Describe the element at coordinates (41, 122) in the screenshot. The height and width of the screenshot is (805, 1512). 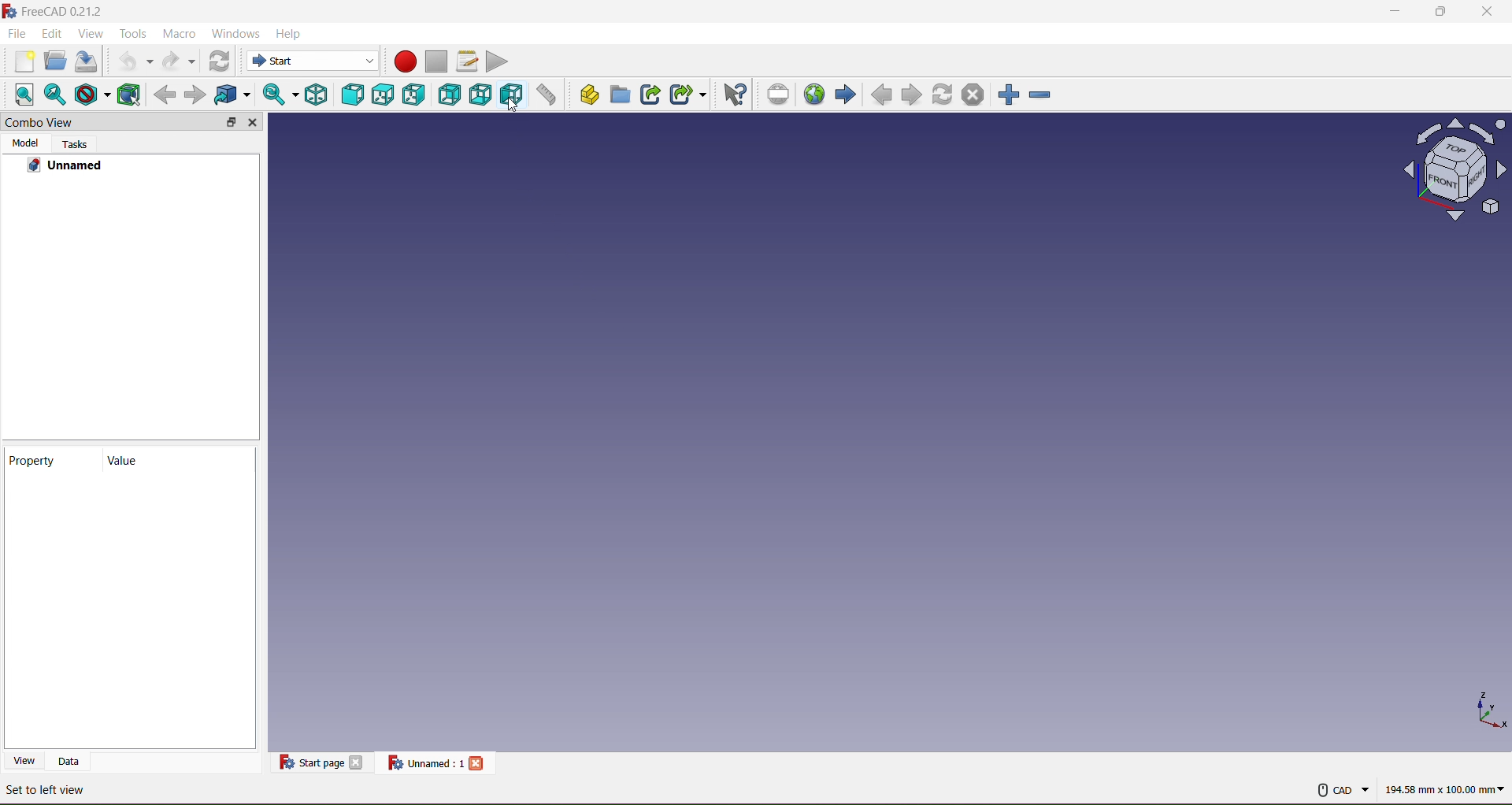
I see `Combo View` at that location.